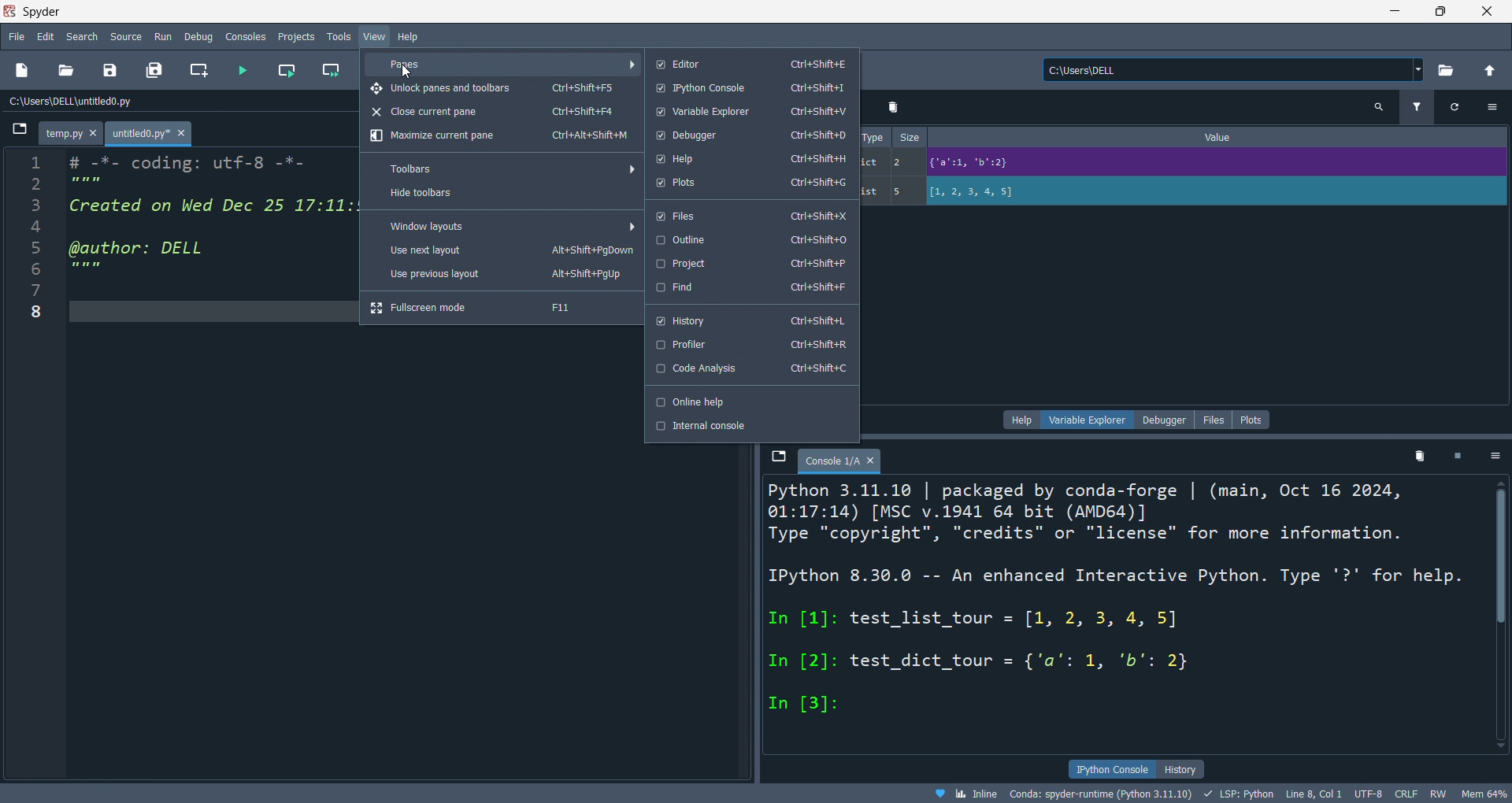  What do you see at coordinates (503, 252) in the screenshot?
I see `use next layout` at bounding box center [503, 252].